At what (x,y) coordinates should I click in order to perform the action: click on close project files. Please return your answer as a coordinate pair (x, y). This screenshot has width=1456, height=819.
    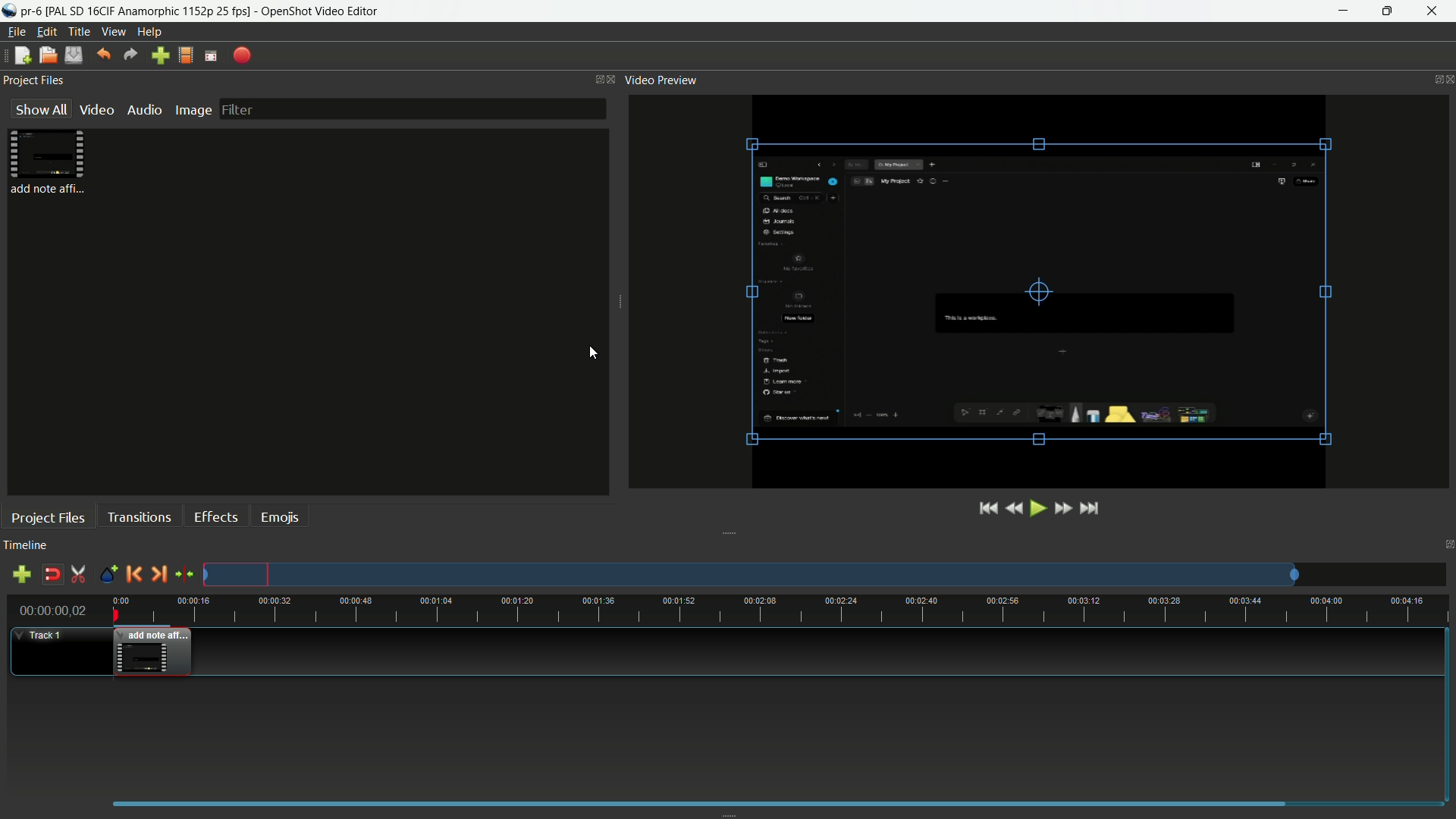
    Looking at the image, I should click on (613, 80).